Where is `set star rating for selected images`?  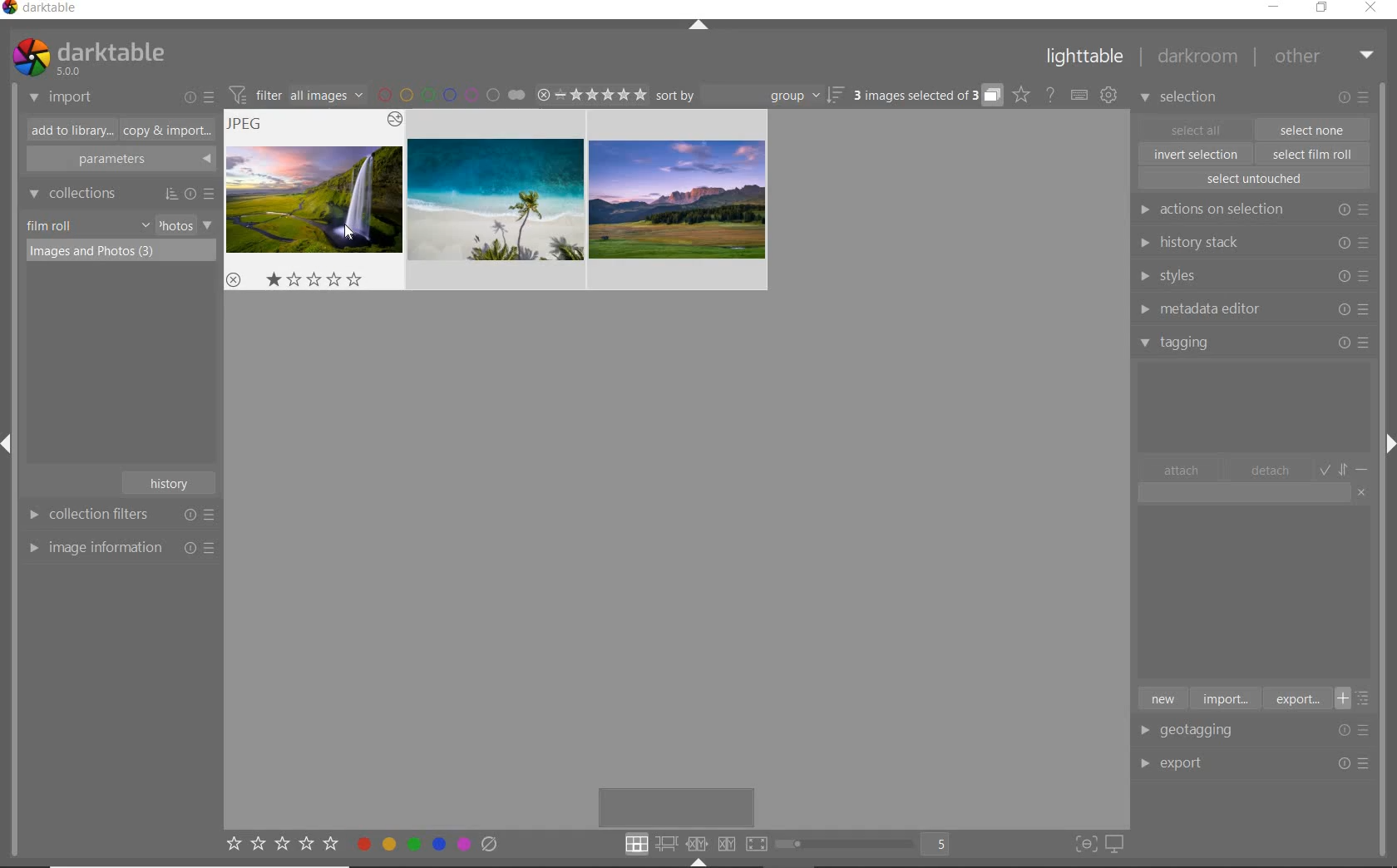 set star rating for selected images is located at coordinates (281, 846).